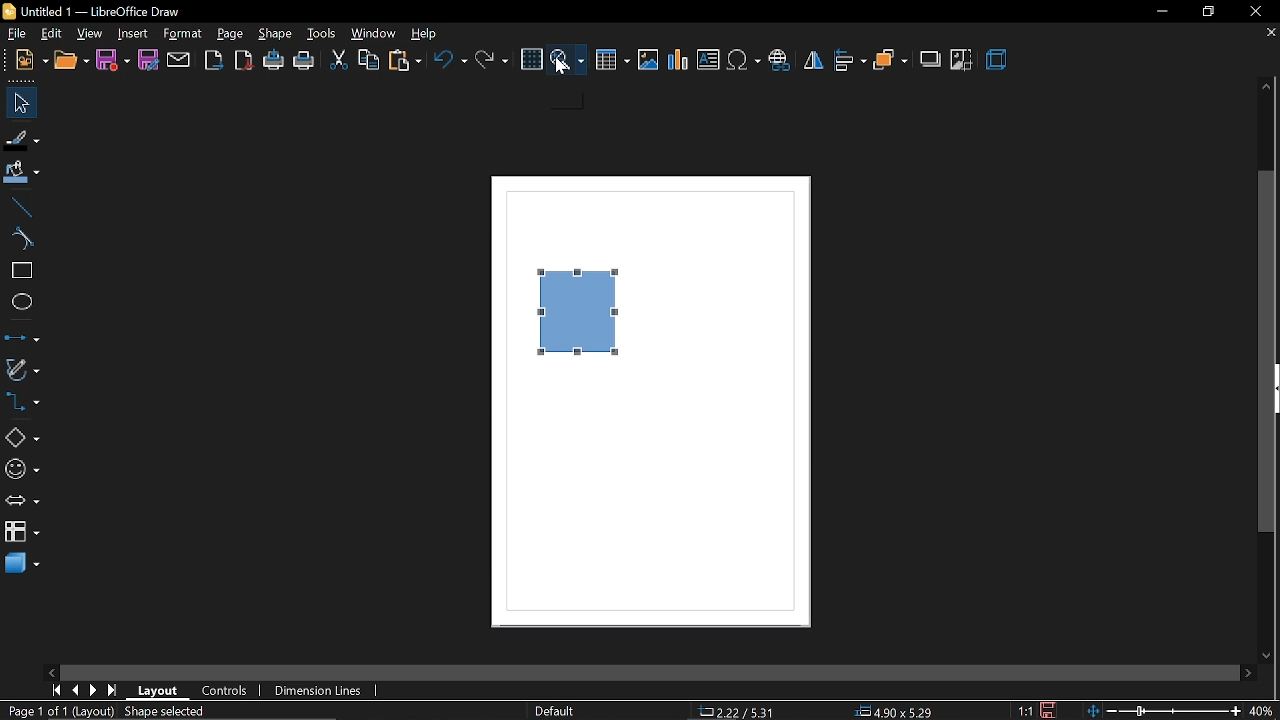 The height and width of the screenshot is (720, 1280). What do you see at coordinates (650, 511) in the screenshot?
I see `Page` at bounding box center [650, 511].